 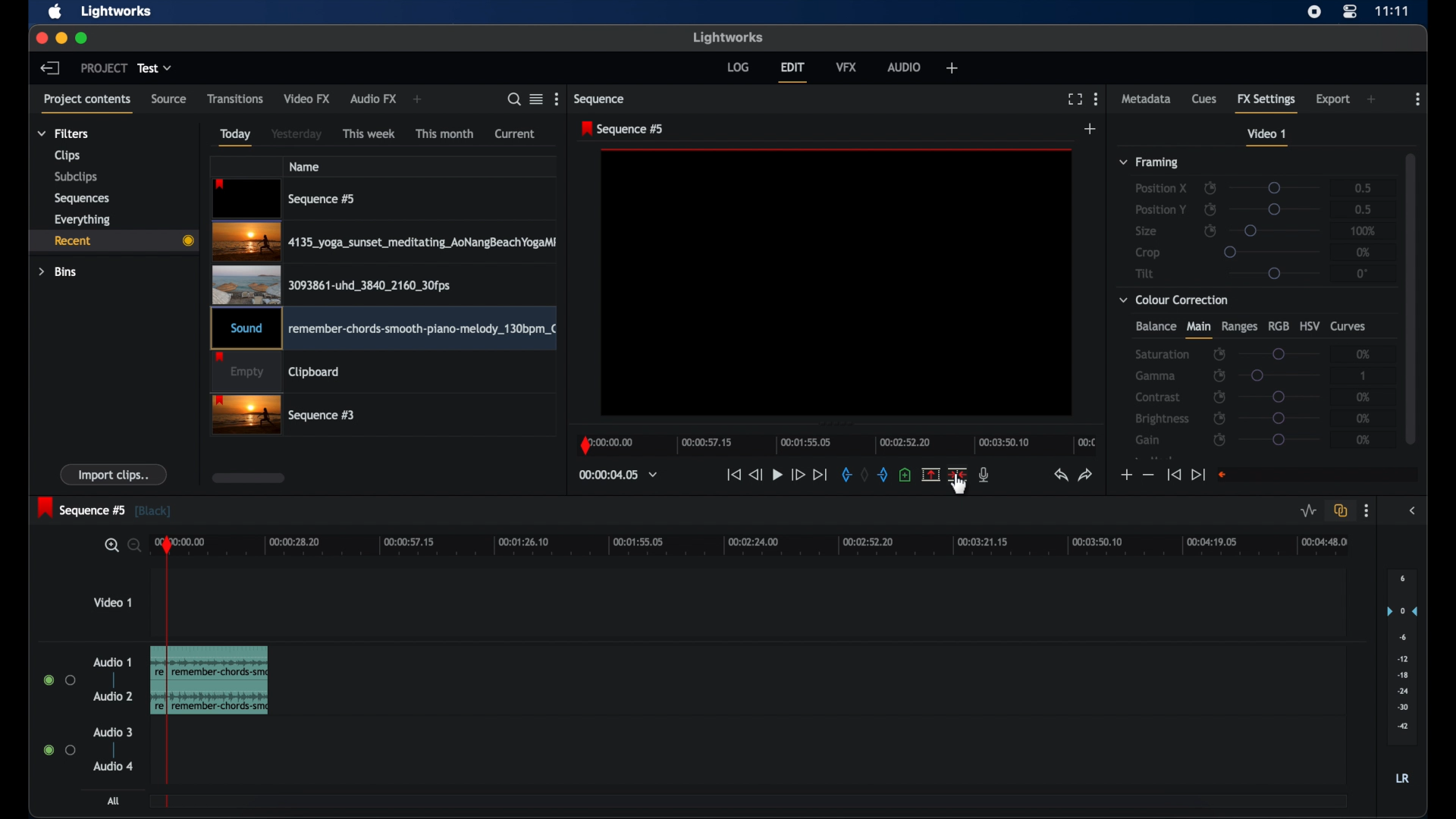 I want to click on audio fx, so click(x=374, y=99).